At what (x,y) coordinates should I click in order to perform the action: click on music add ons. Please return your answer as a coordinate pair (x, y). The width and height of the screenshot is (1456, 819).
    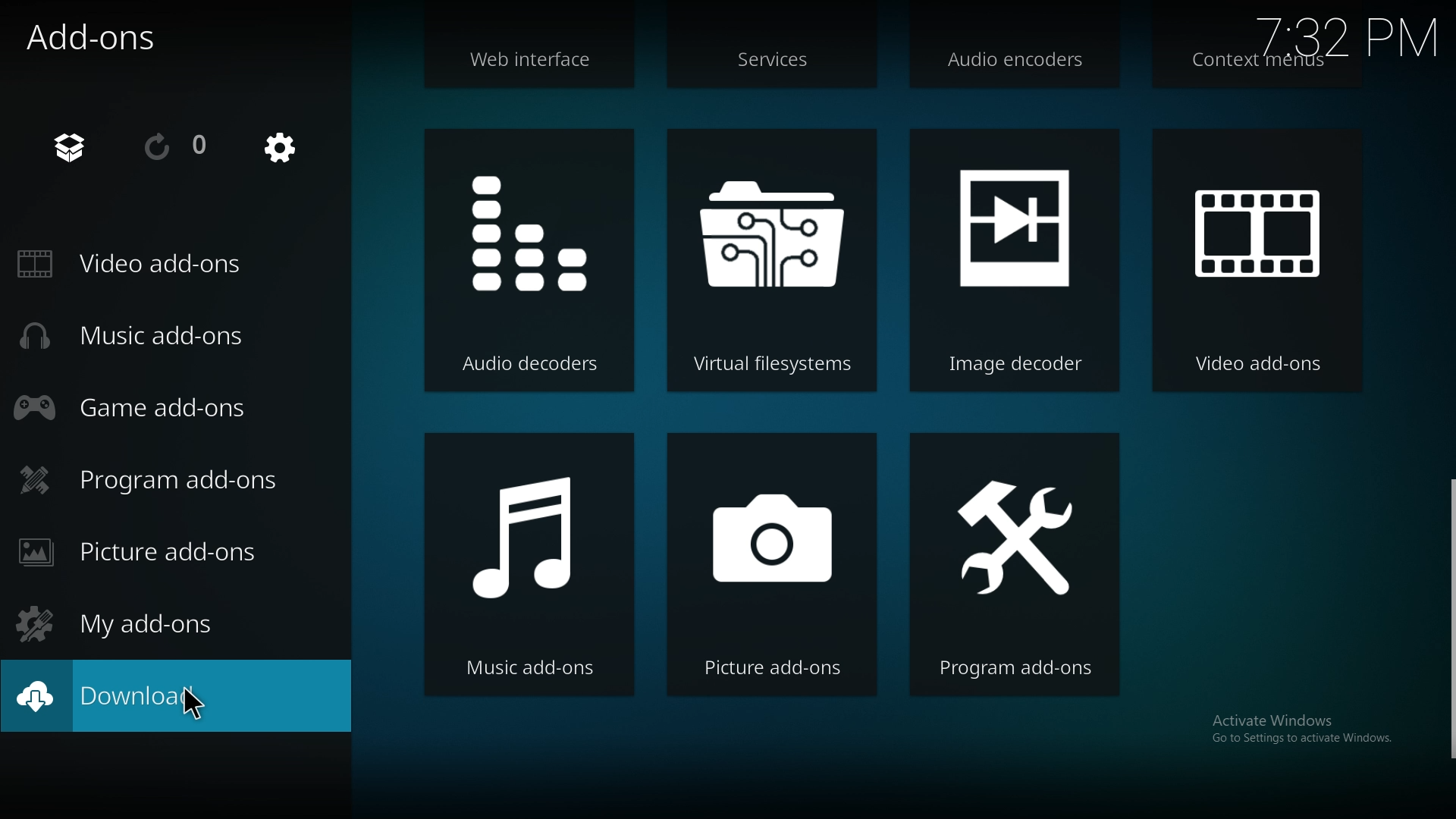
    Looking at the image, I should click on (142, 336).